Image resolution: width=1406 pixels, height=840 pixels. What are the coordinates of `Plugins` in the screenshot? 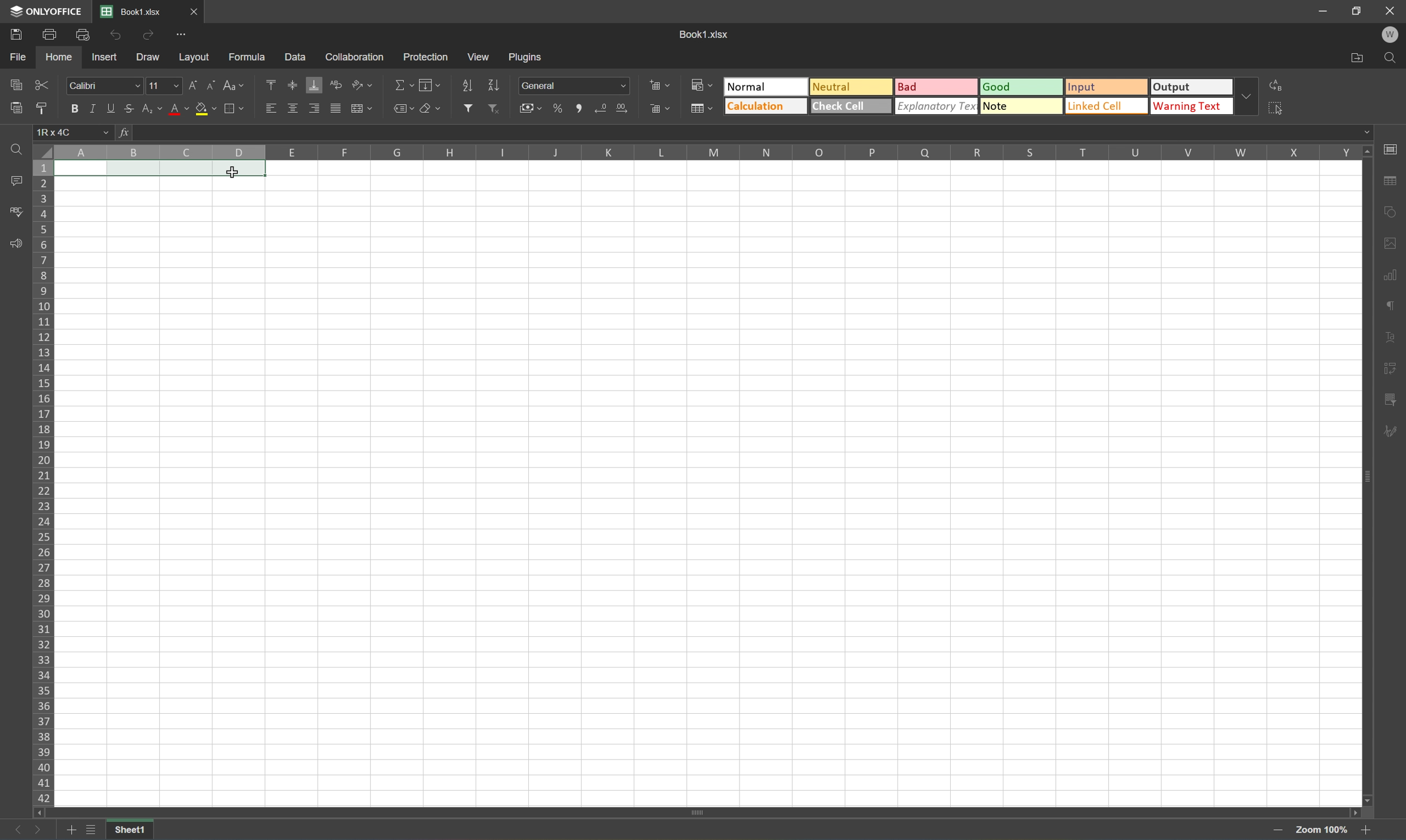 It's located at (527, 57).